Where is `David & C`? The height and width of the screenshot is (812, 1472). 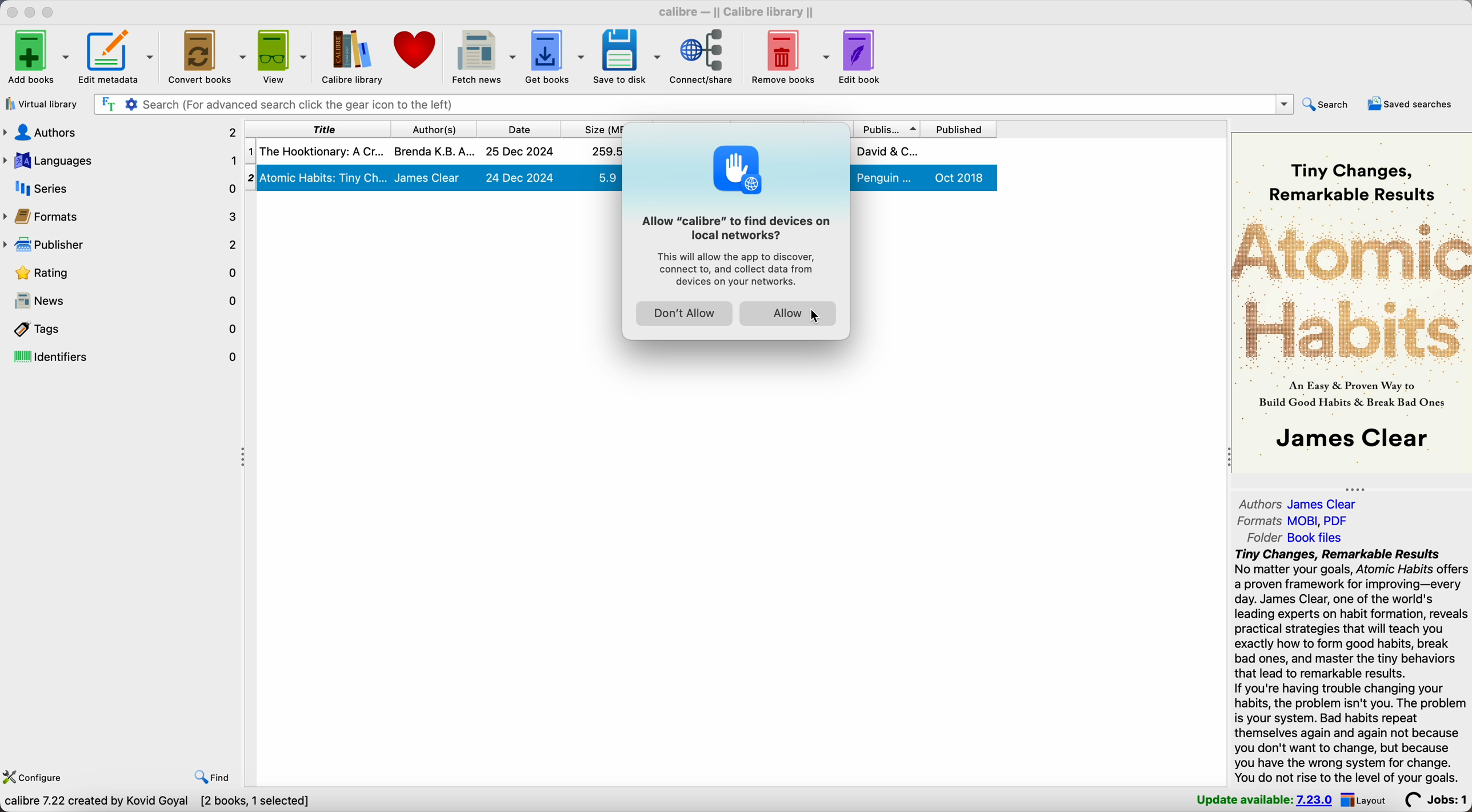 David & C is located at coordinates (888, 151).